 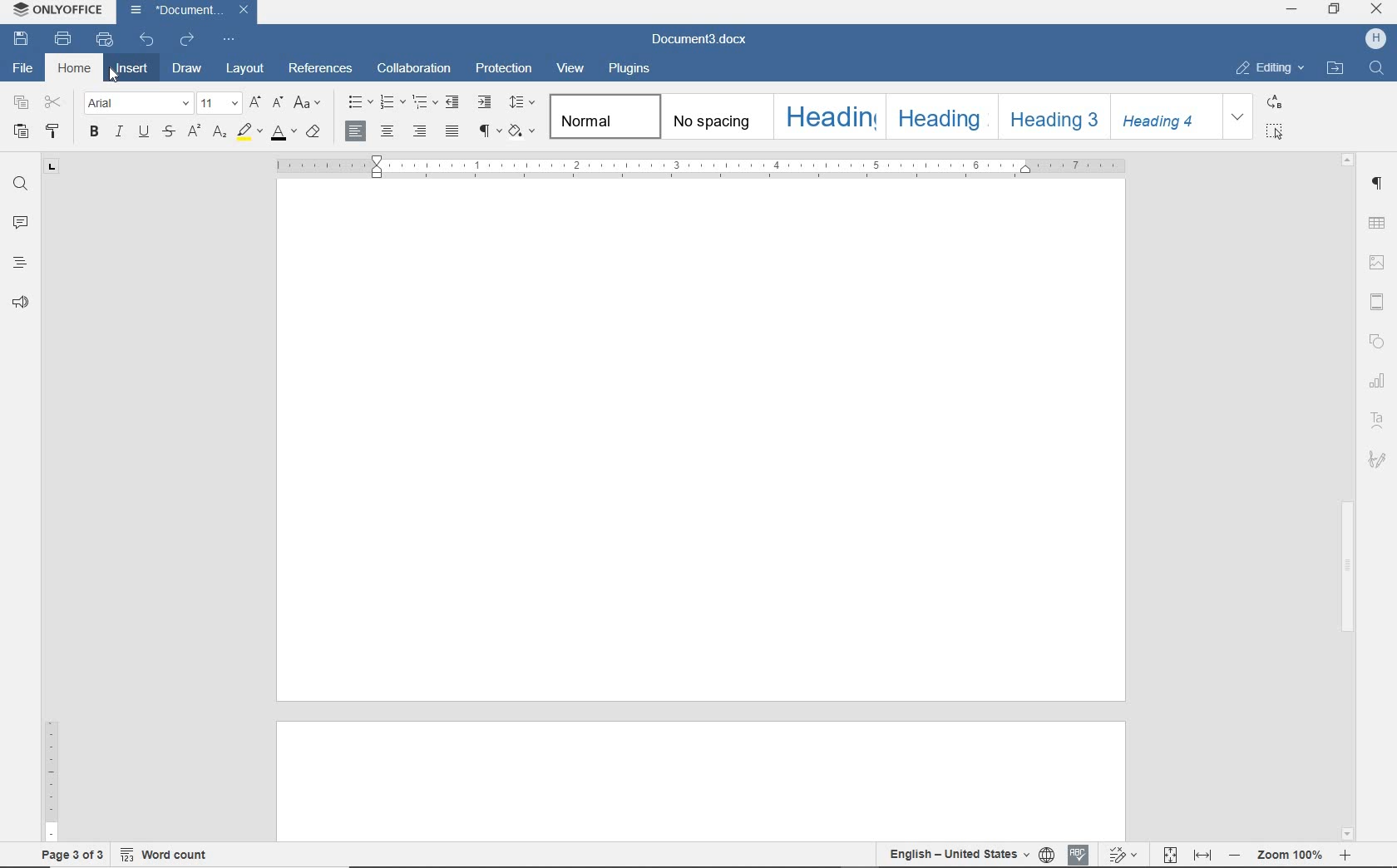 What do you see at coordinates (1239, 116) in the screenshot?
I see `EXPAND` at bounding box center [1239, 116].